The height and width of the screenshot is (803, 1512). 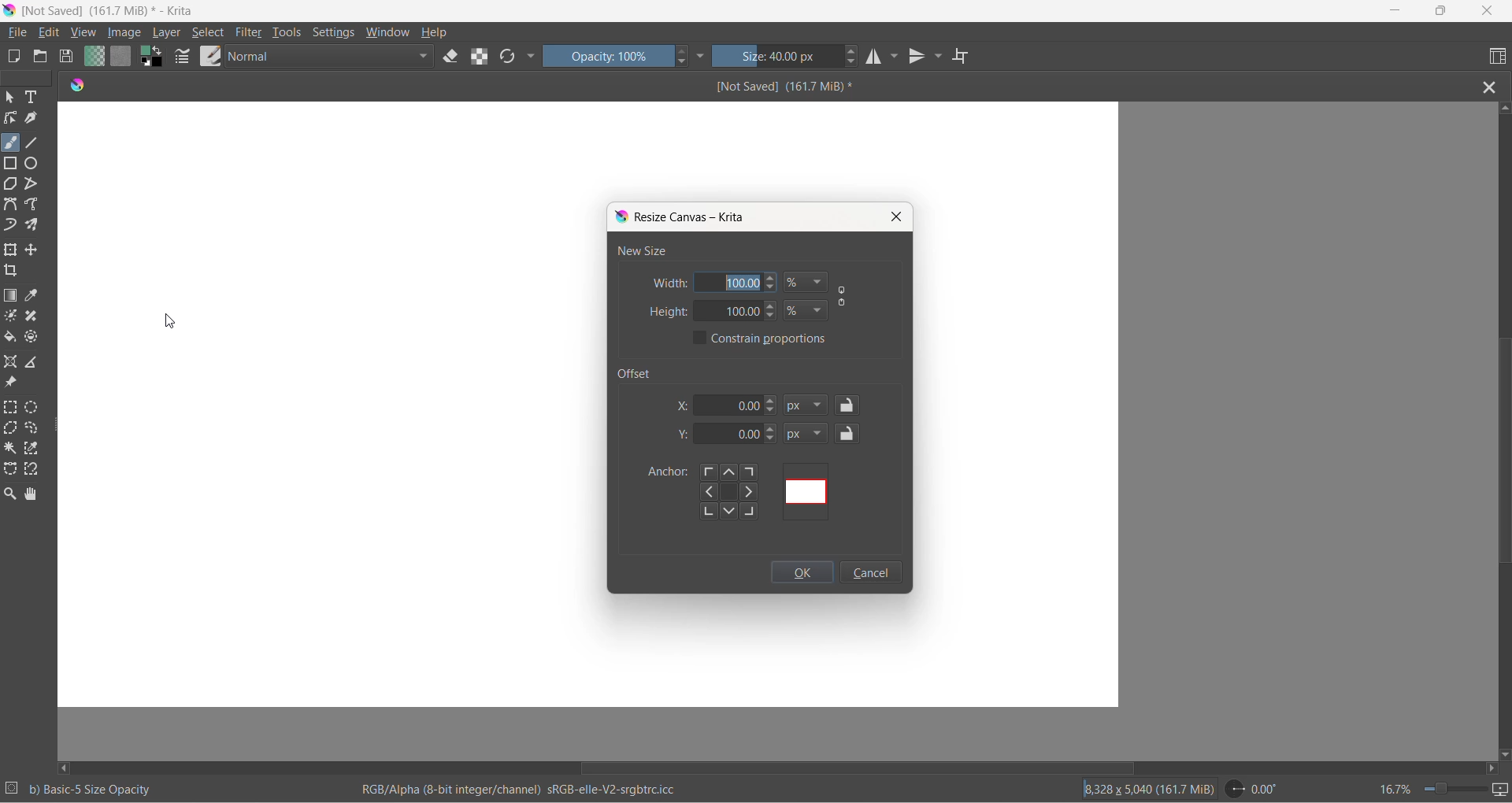 What do you see at coordinates (531, 57) in the screenshot?
I see `more options dropdown button` at bounding box center [531, 57].